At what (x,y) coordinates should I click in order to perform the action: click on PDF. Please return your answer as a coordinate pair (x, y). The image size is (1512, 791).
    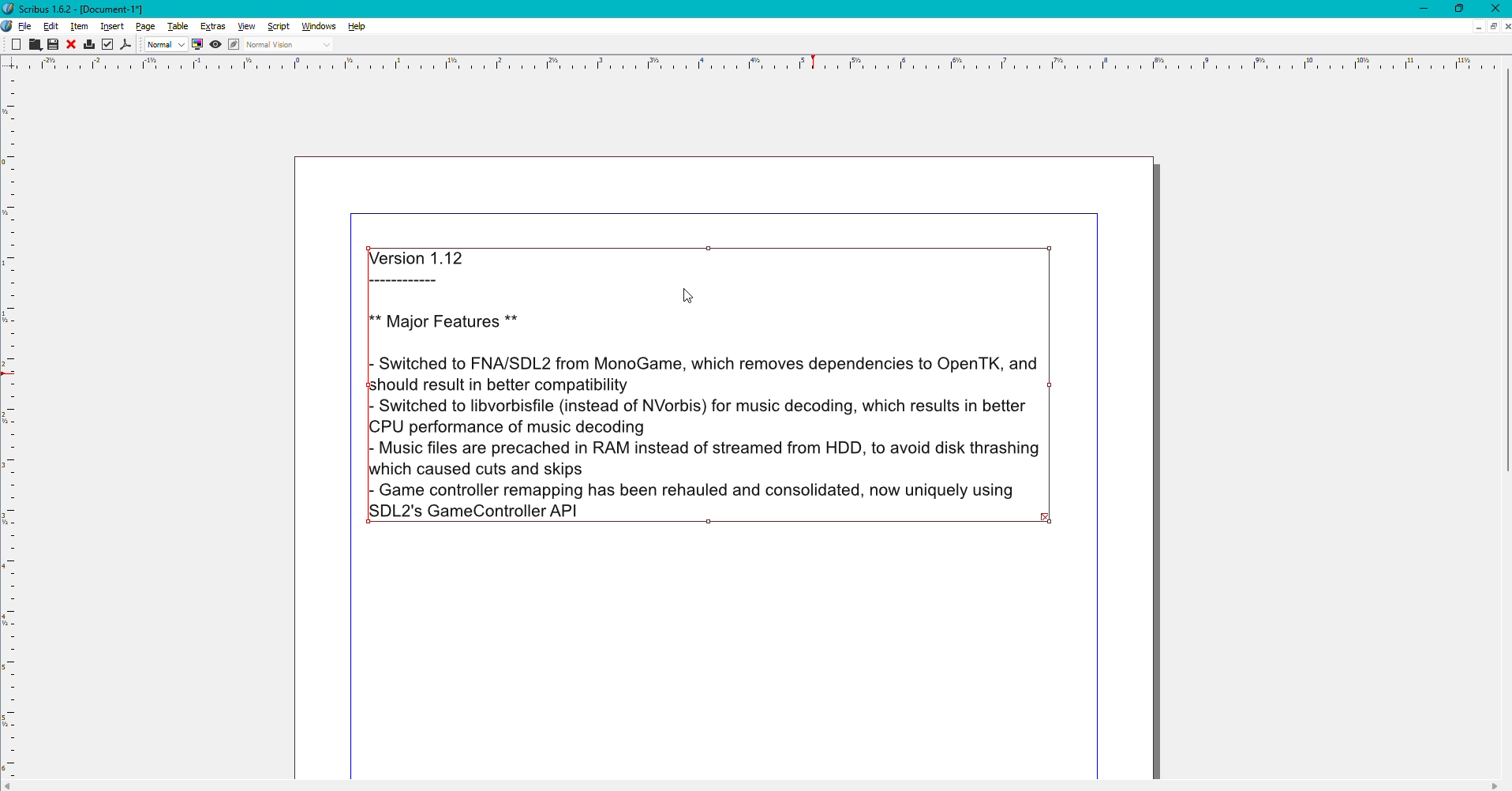
    Looking at the image, I should click on (127, 45).